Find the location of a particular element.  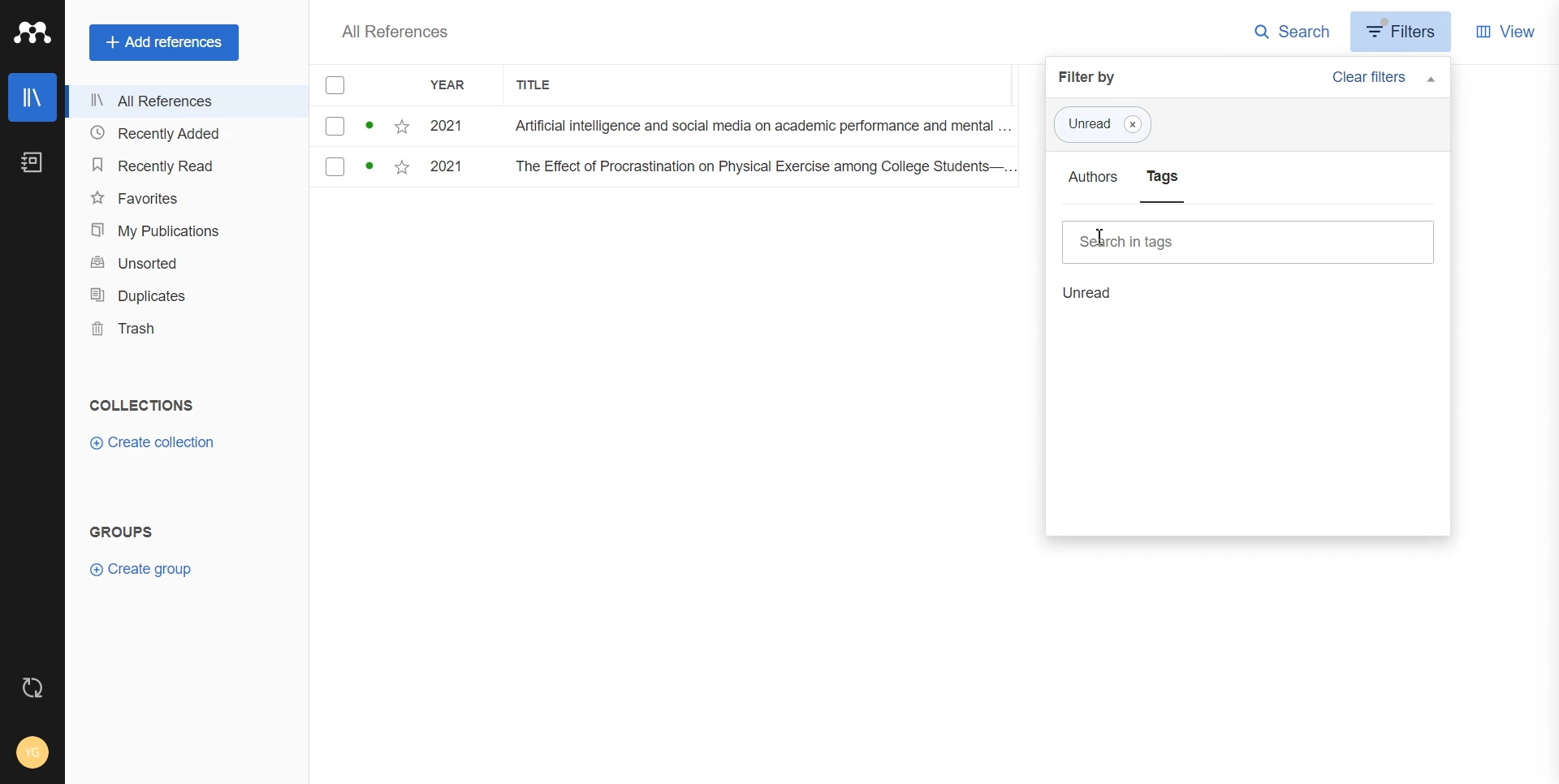

Notebook is located at coordinates (32, 163).